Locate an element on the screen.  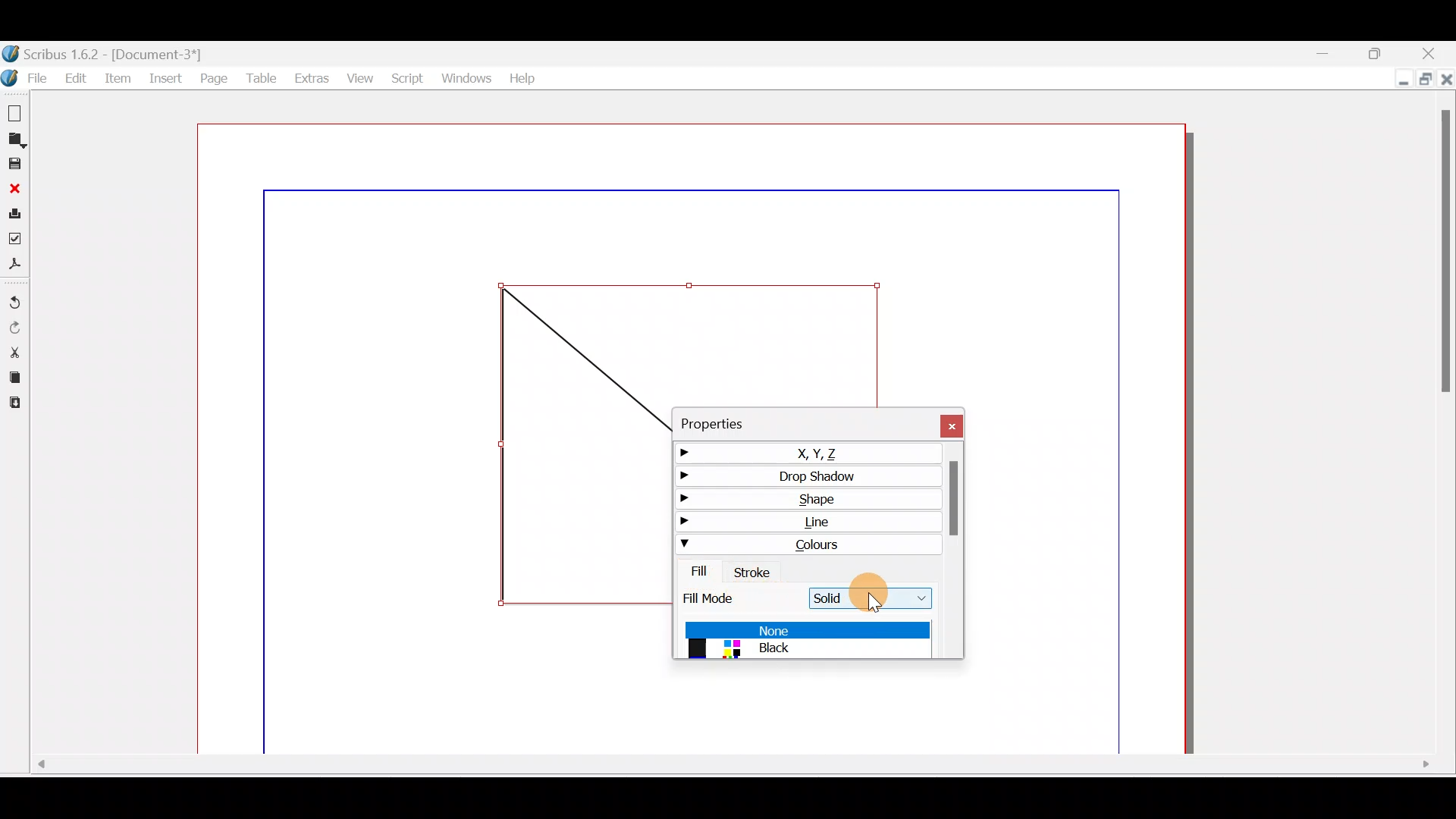
Close is located at coordinates (1446, 81).